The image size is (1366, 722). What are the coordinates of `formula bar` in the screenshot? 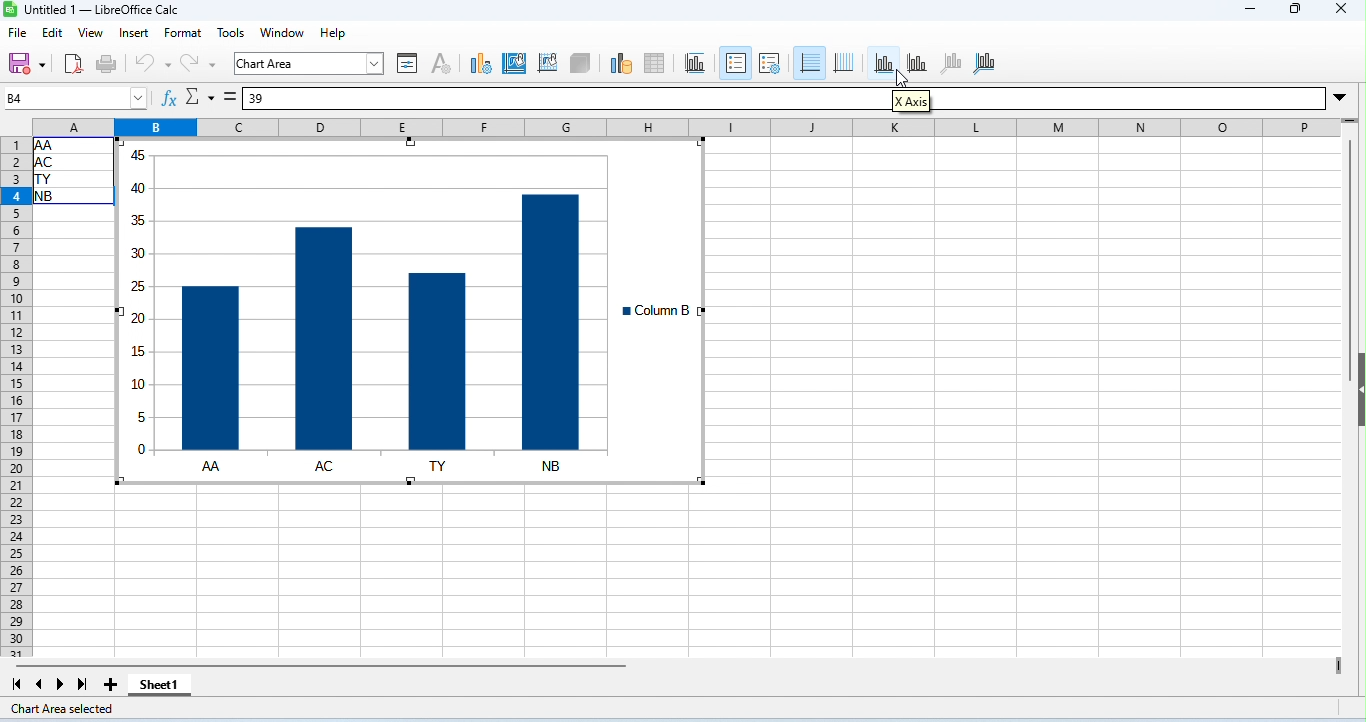 It's located at (567, 100).